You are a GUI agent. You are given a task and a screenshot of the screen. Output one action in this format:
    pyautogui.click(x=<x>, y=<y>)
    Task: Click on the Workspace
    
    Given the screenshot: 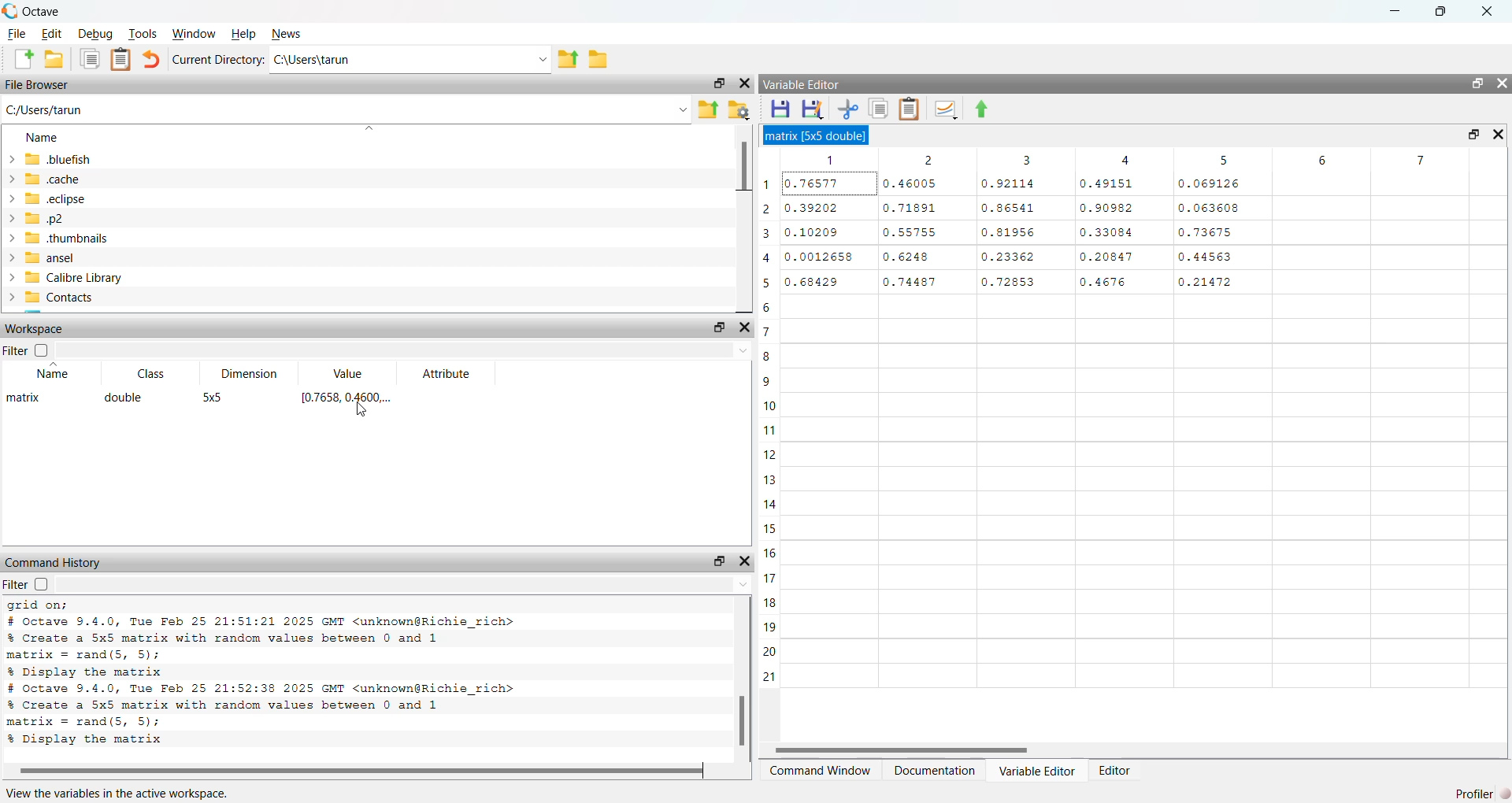 What is the action you would take?
    pyautogui.click(x=42, y=329)
    